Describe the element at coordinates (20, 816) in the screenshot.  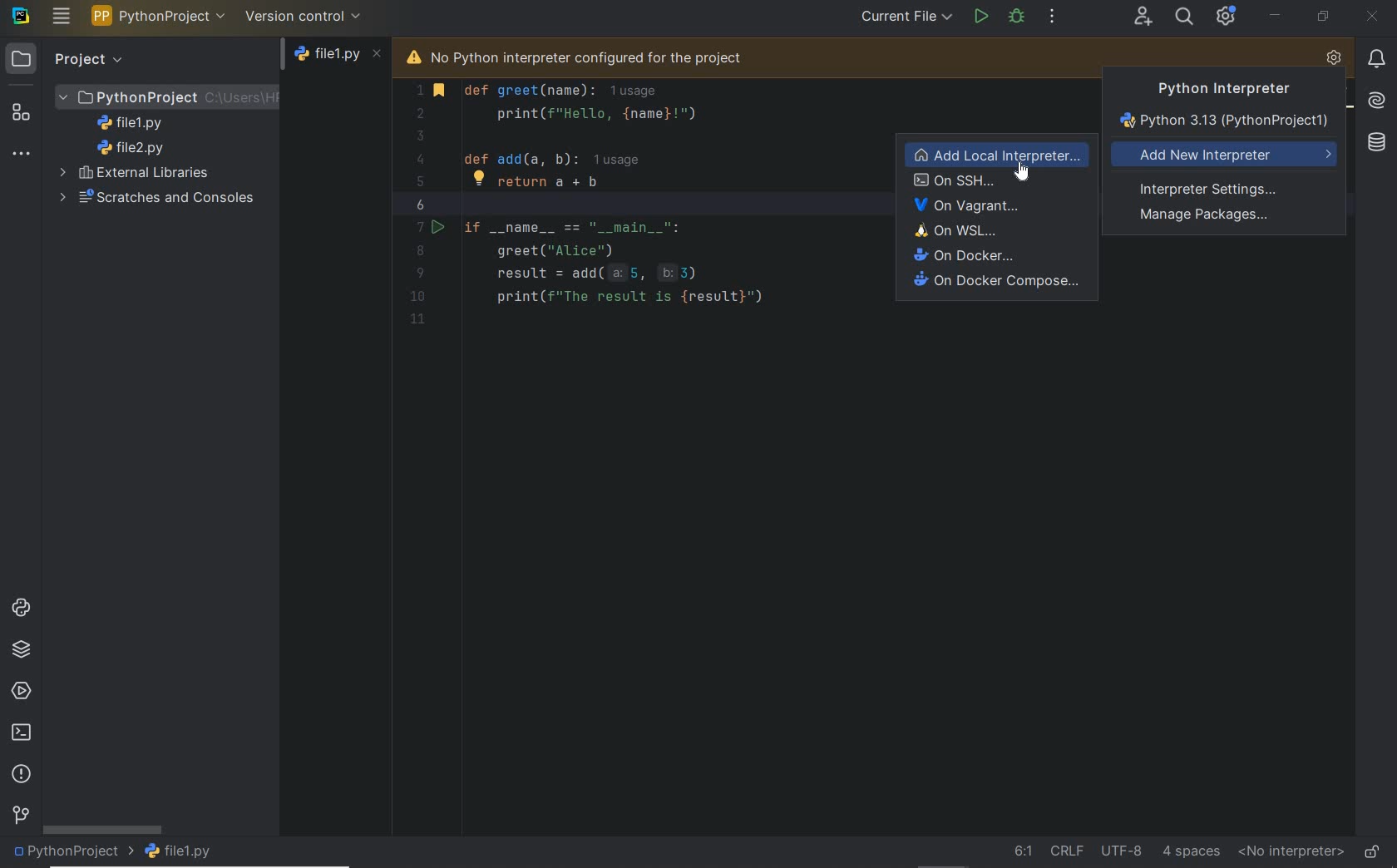
I see `version control` at that location.